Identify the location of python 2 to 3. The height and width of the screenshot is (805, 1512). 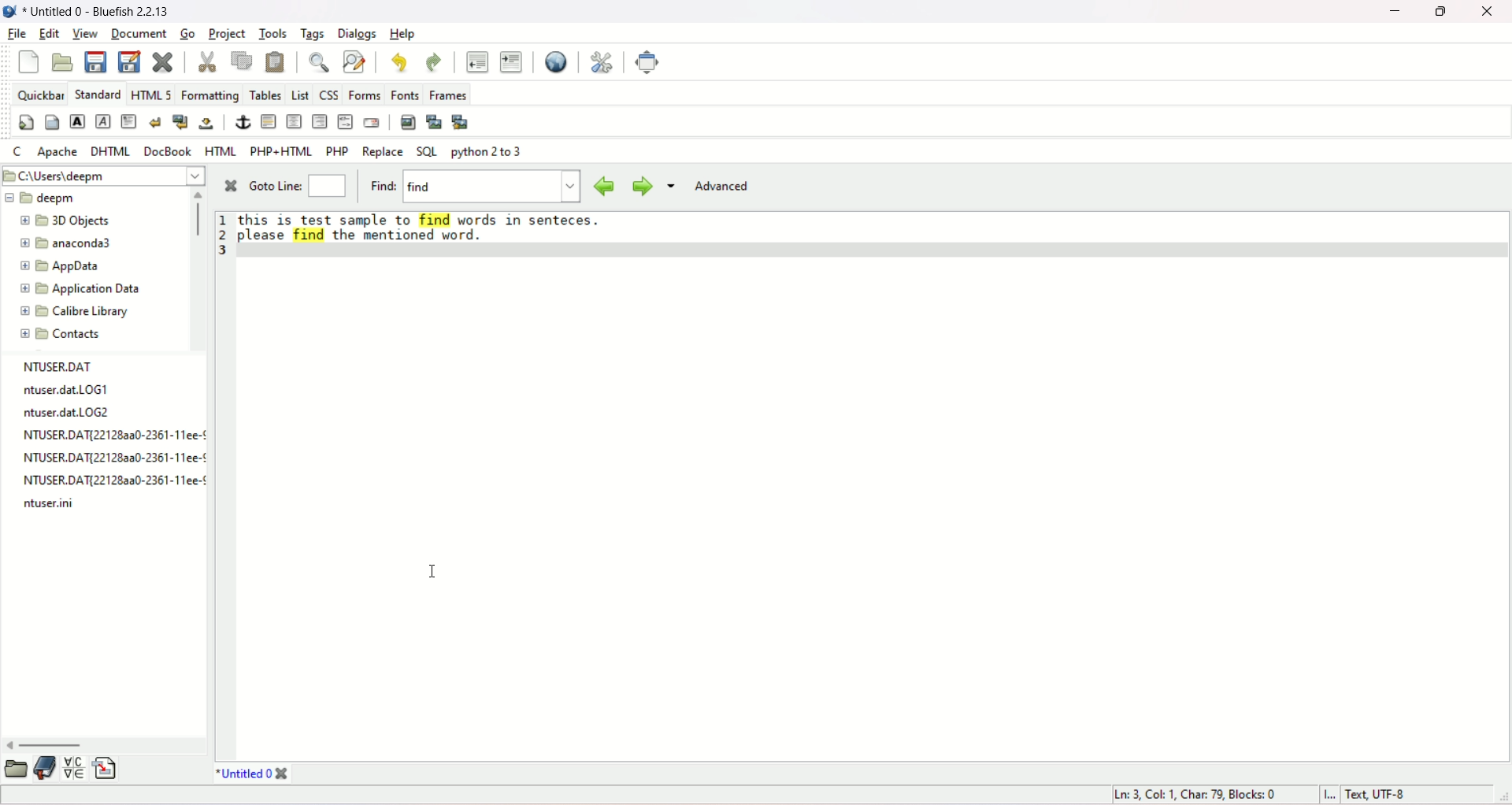
(487, 152).